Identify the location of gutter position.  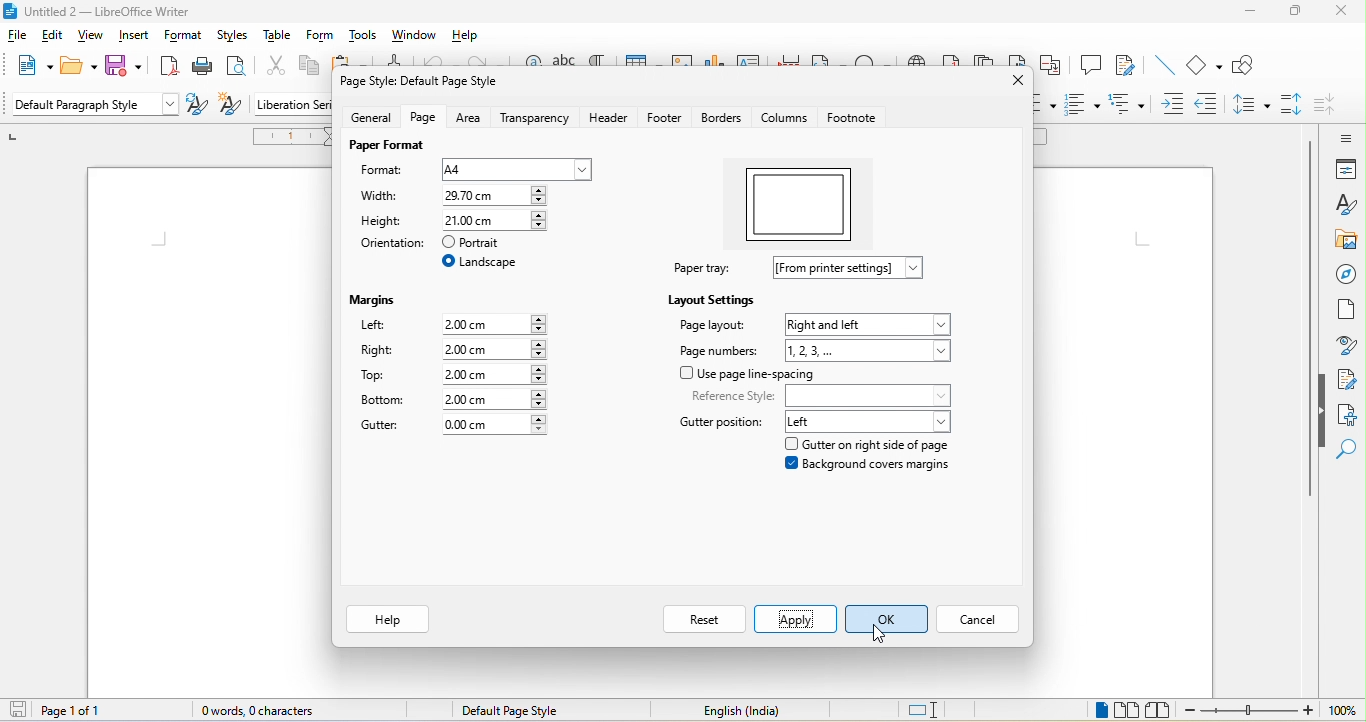
(721, 422).